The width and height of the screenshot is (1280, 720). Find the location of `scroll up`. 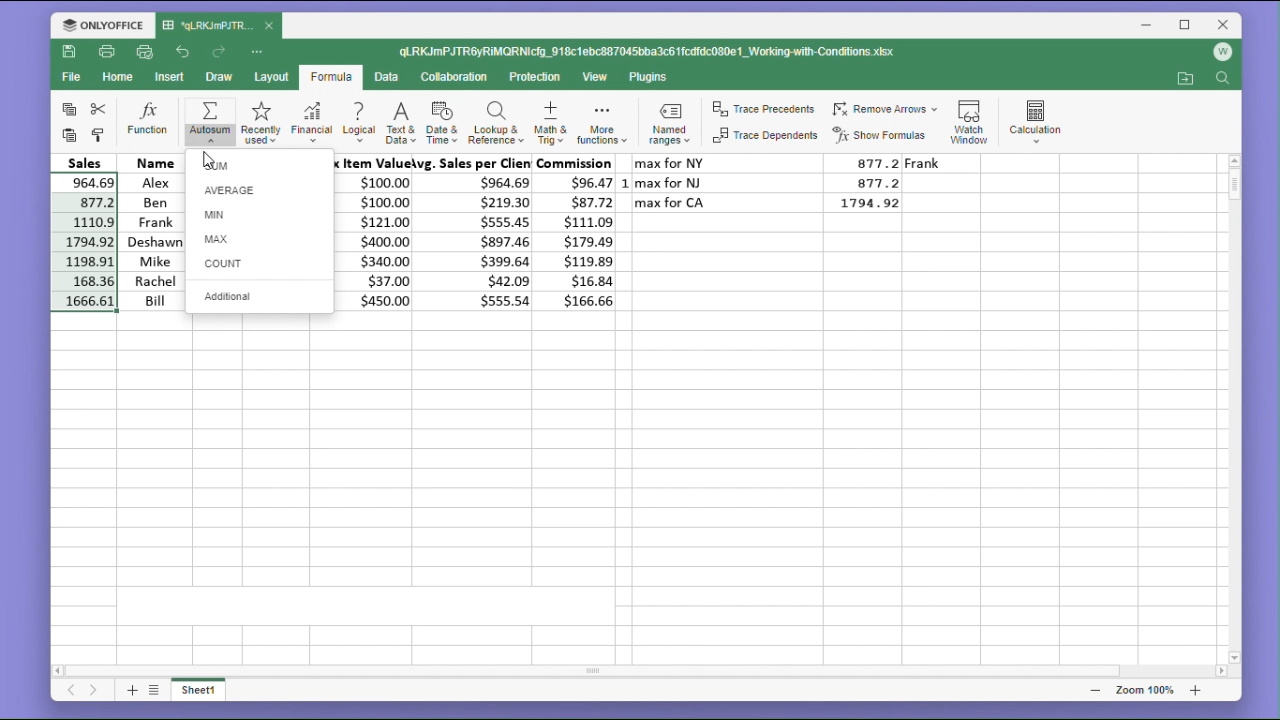

scroll up is located at coordinates (1234, 160).